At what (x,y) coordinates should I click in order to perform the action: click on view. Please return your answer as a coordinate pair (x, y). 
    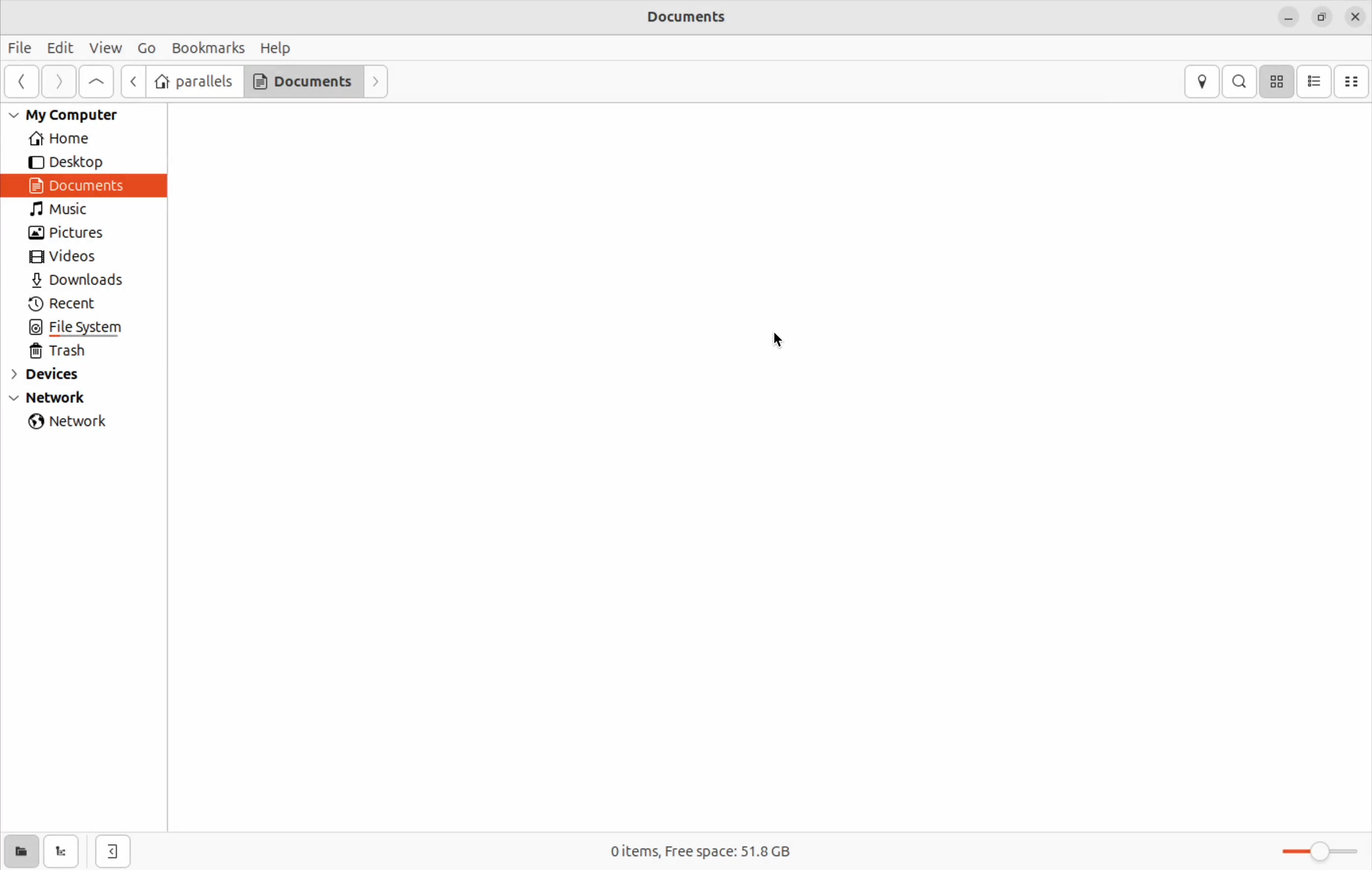
    Looking at the image, I should click on (105, 47).